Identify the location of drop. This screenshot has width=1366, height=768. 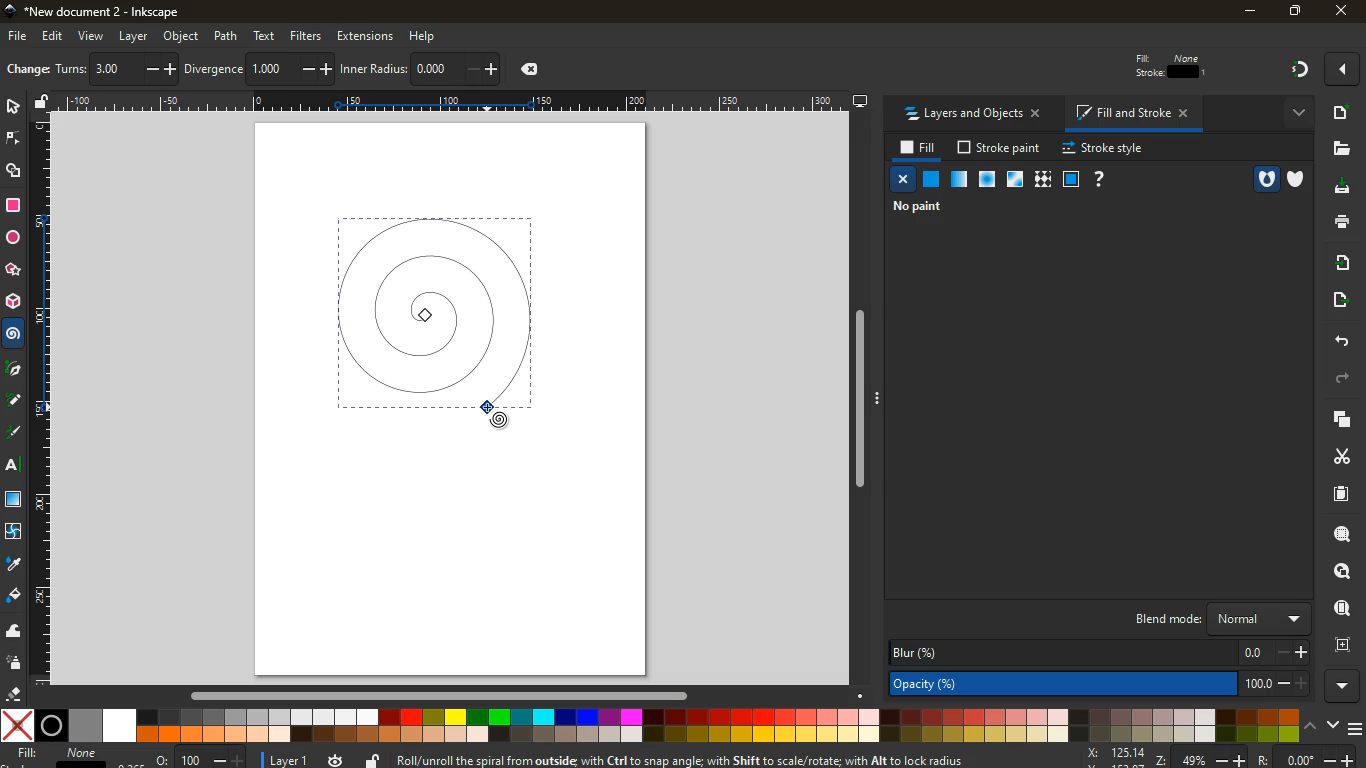
(14, 566).